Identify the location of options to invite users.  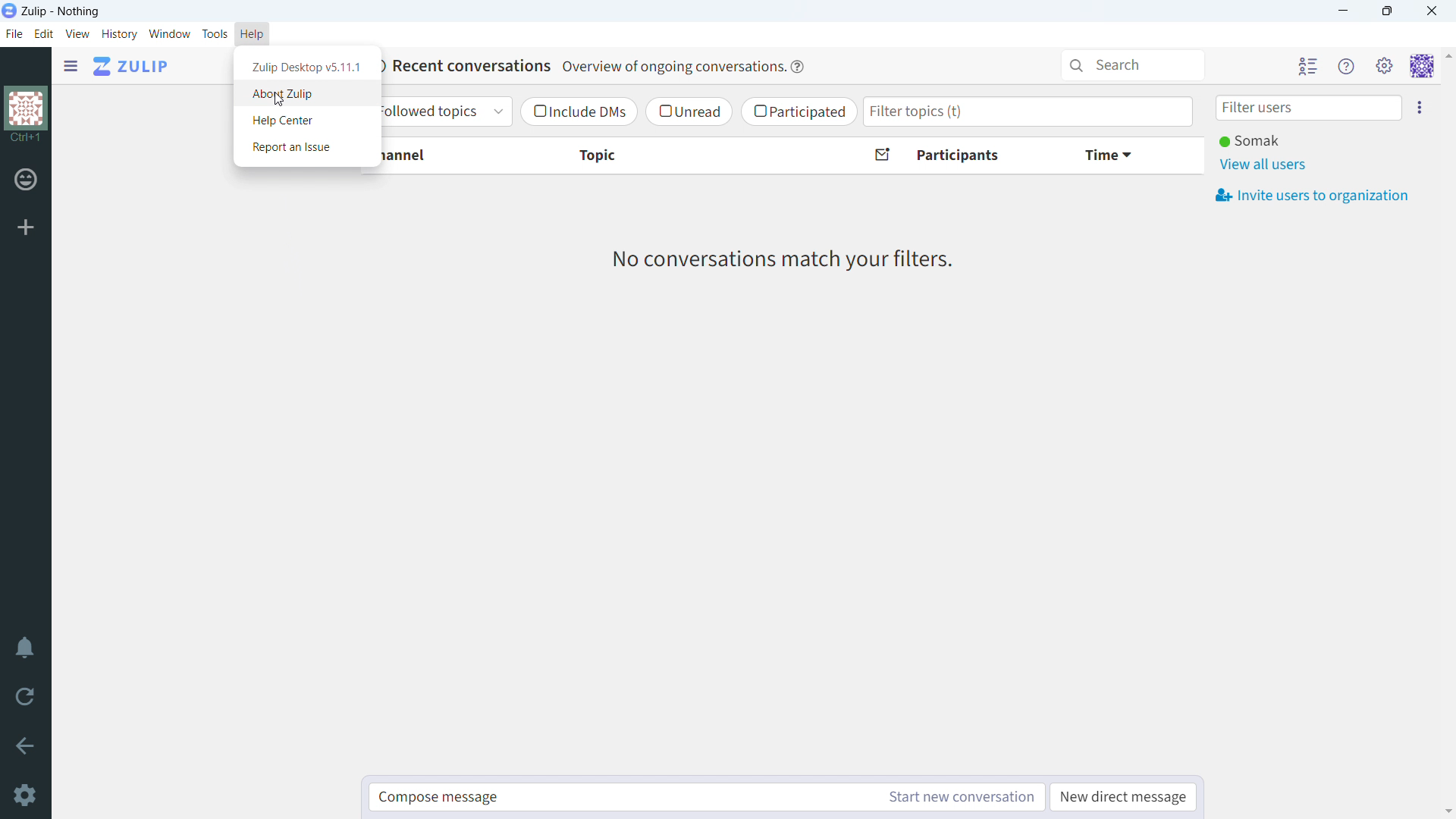
(1423, 107).